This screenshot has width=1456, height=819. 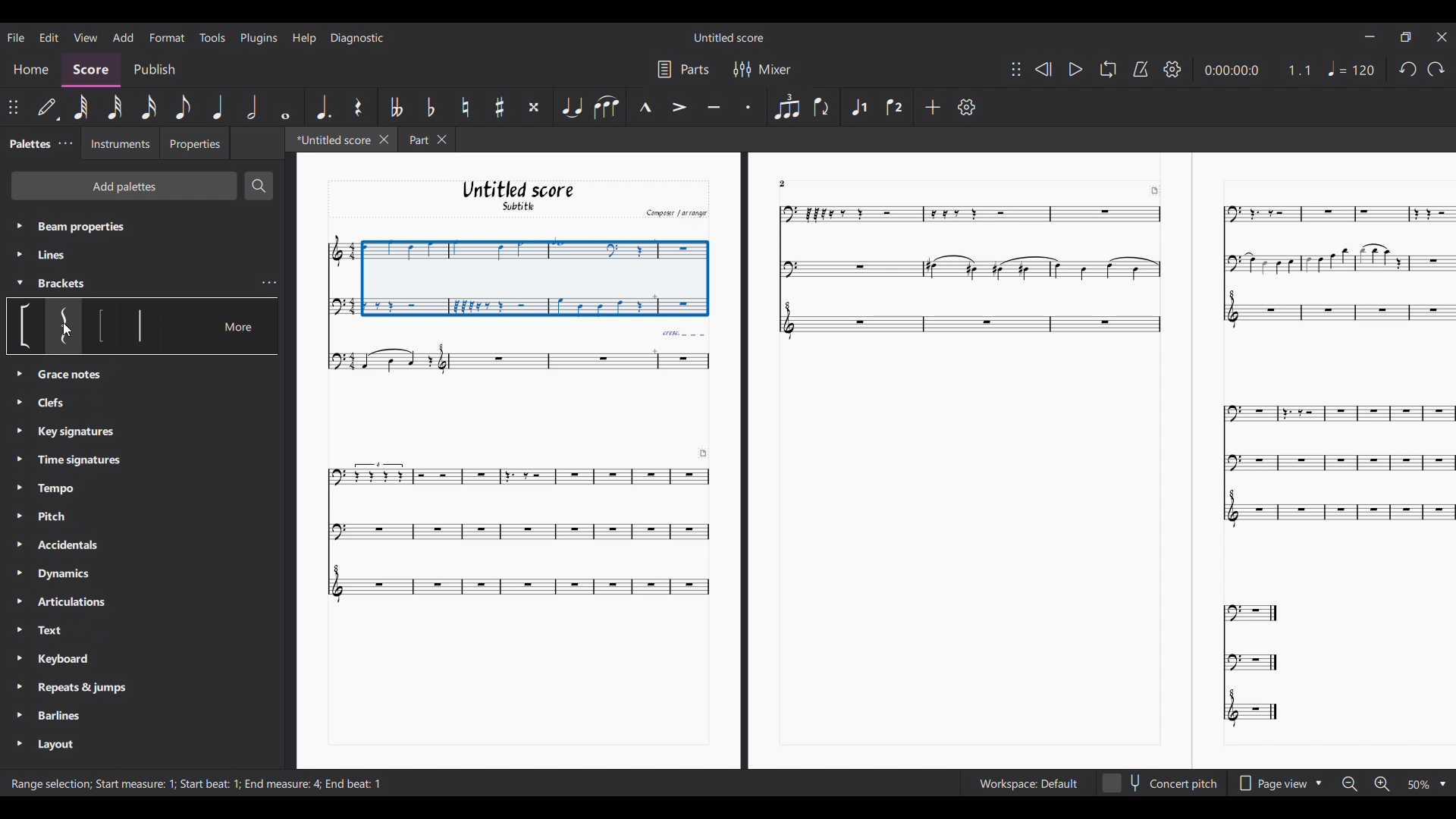 I want to click on Tuplet, so click(x=786, y=106).